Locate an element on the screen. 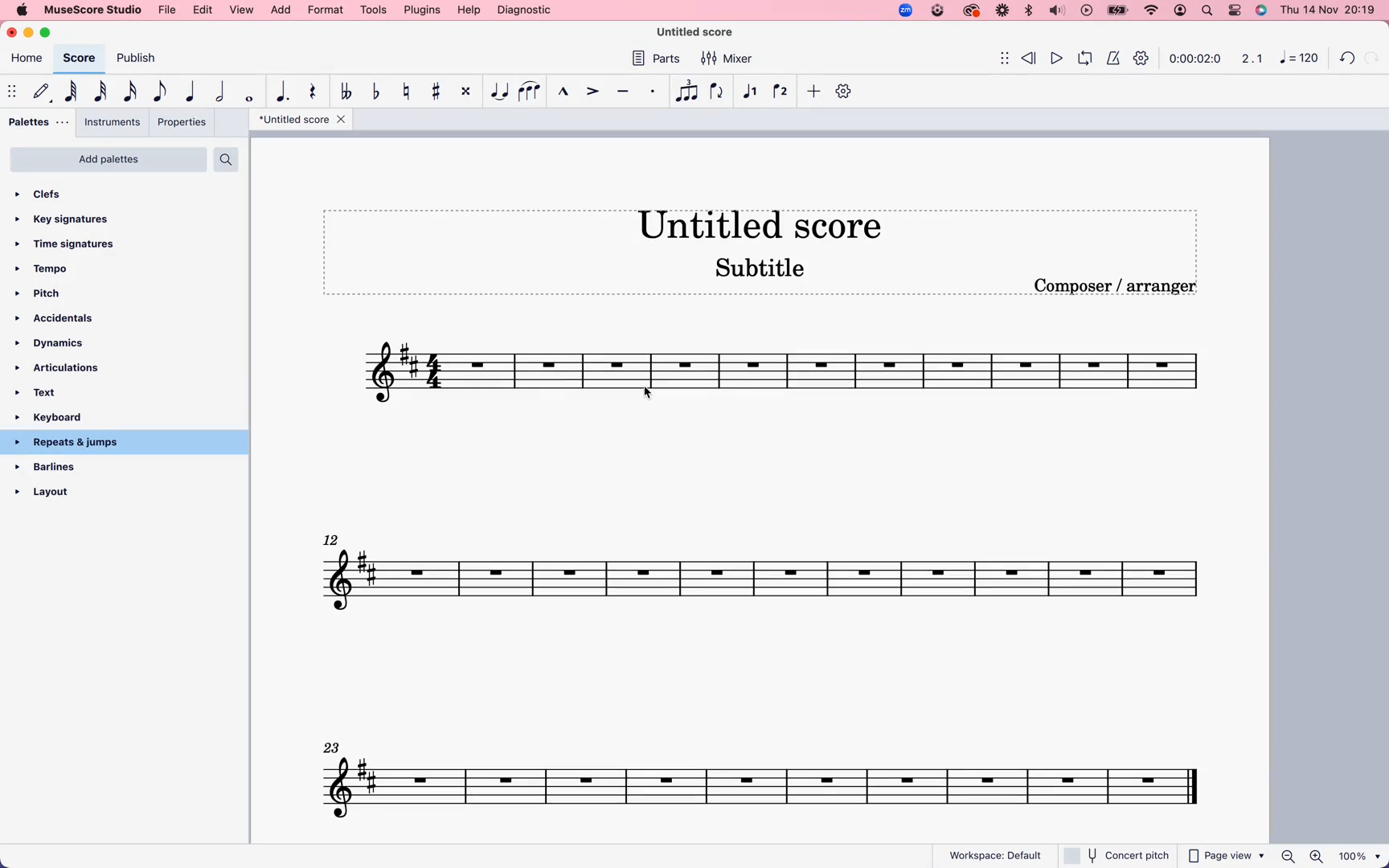 The image size is (1389, 868). pallets is located at coordinates (39, 121).